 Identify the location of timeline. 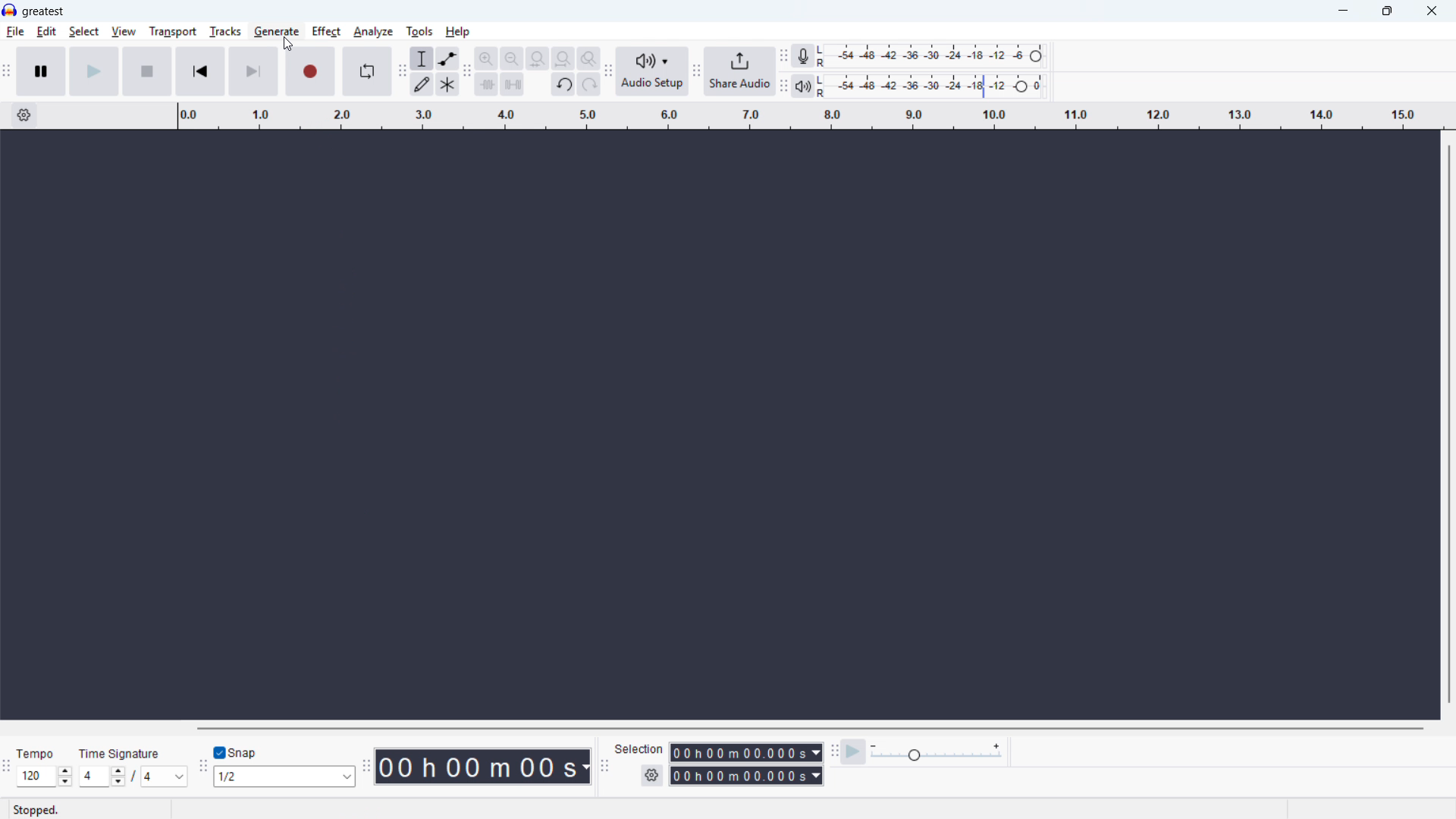
(811, 116).